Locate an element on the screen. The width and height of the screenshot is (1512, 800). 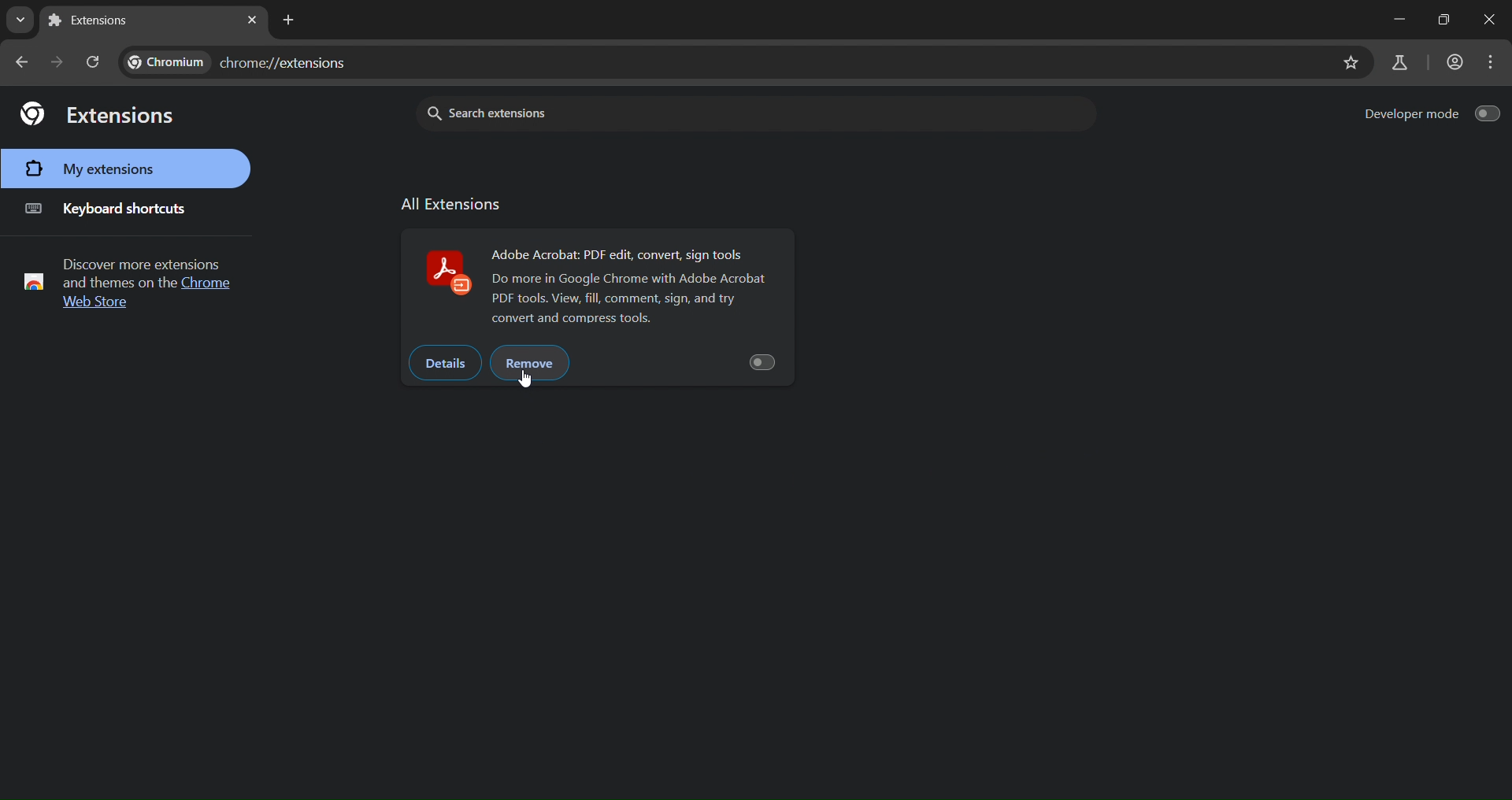
adobe odf is located at coordinates (630, 285).